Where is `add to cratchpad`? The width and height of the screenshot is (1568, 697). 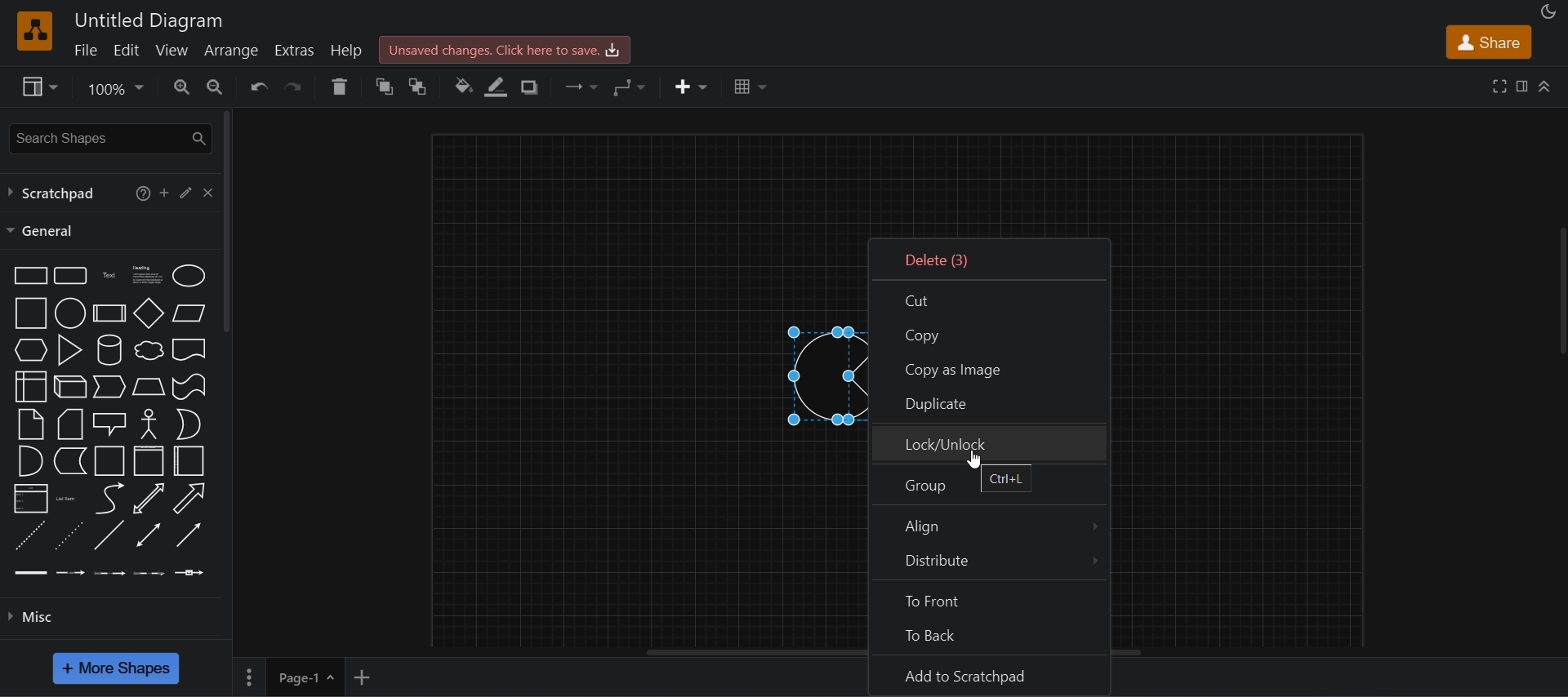 add to cratchpad is located at coordinates (986, 674).